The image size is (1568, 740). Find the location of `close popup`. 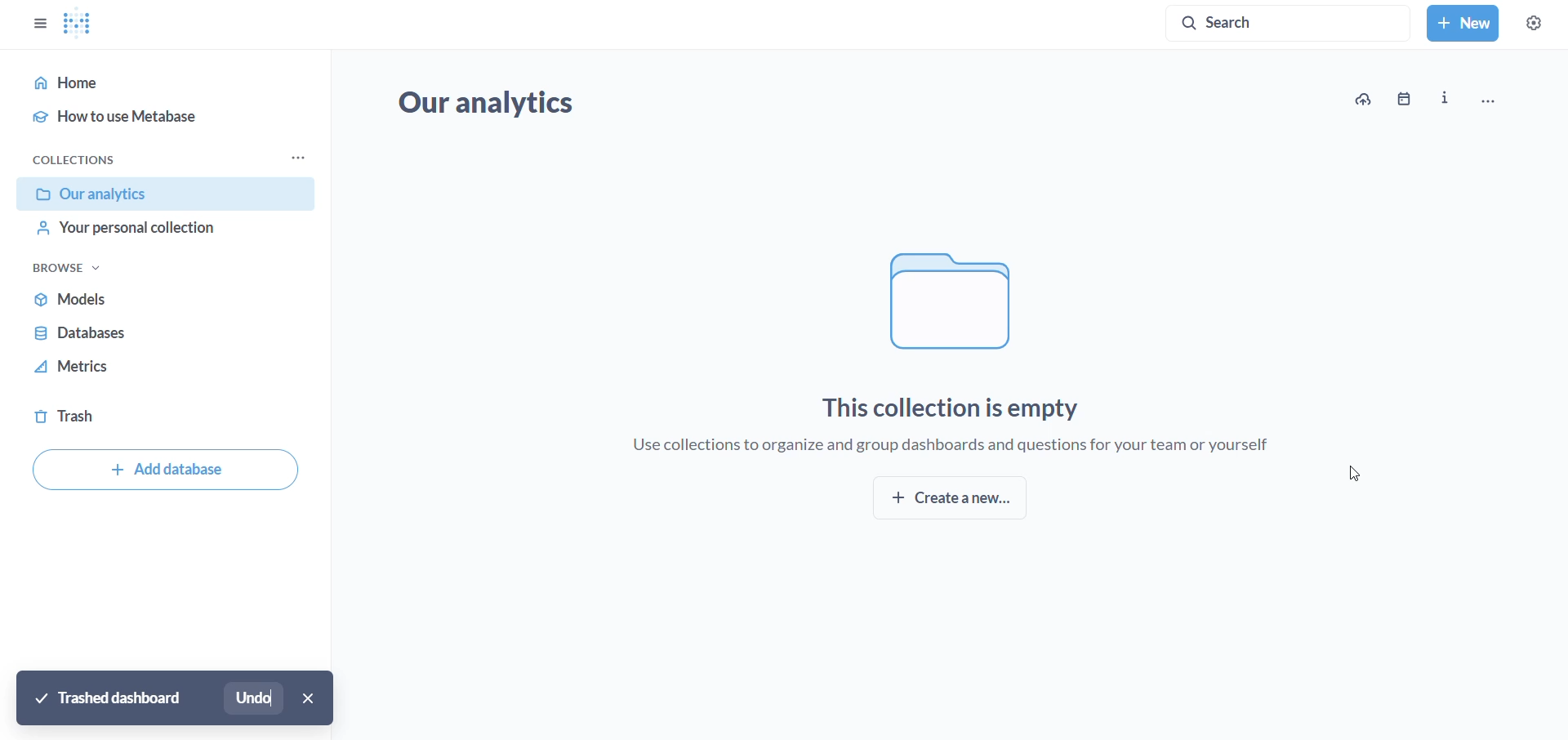

close popup is located at coordinates (312, 699).